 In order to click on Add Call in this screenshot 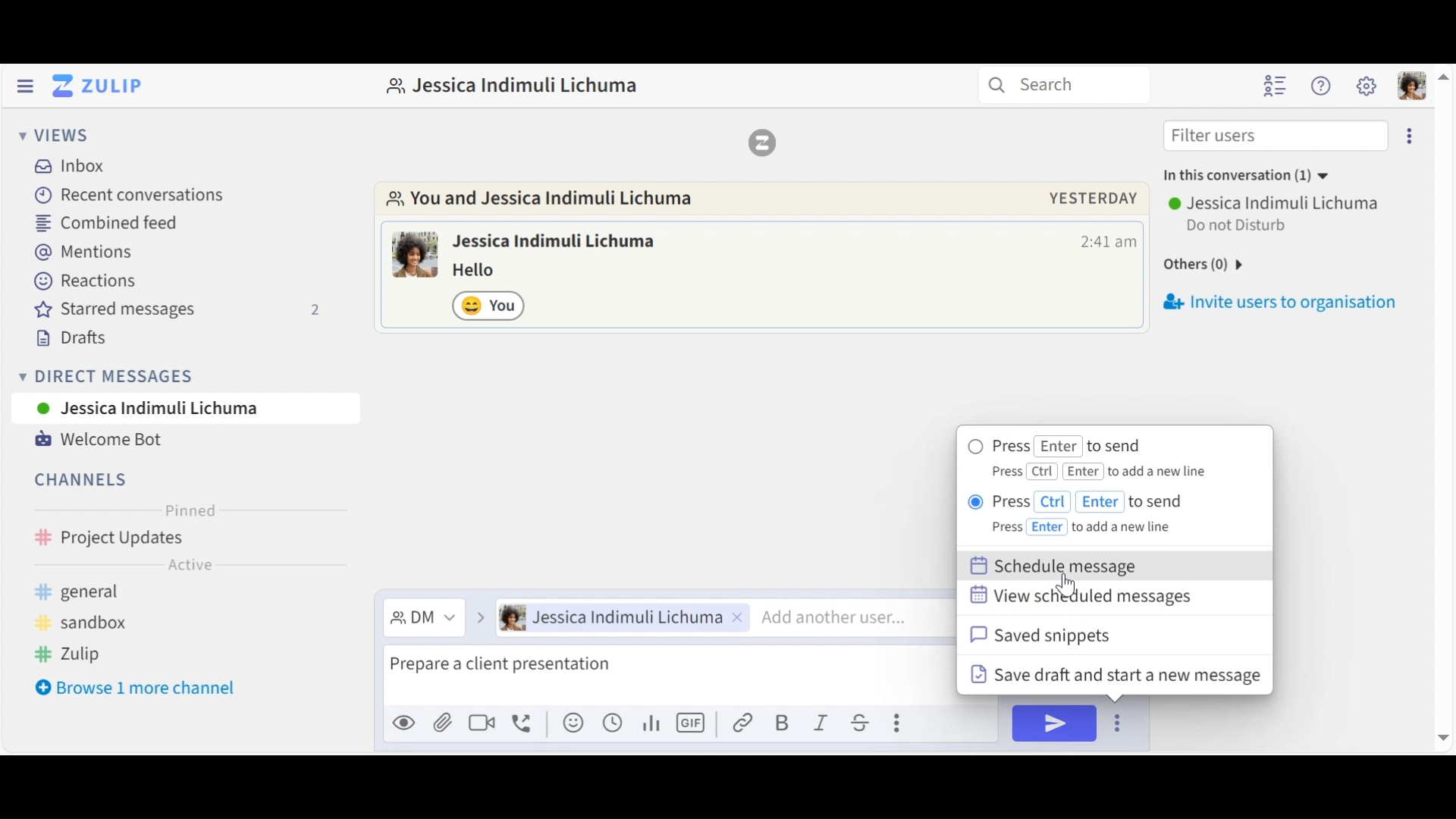, I will do `click(526, 721)`.